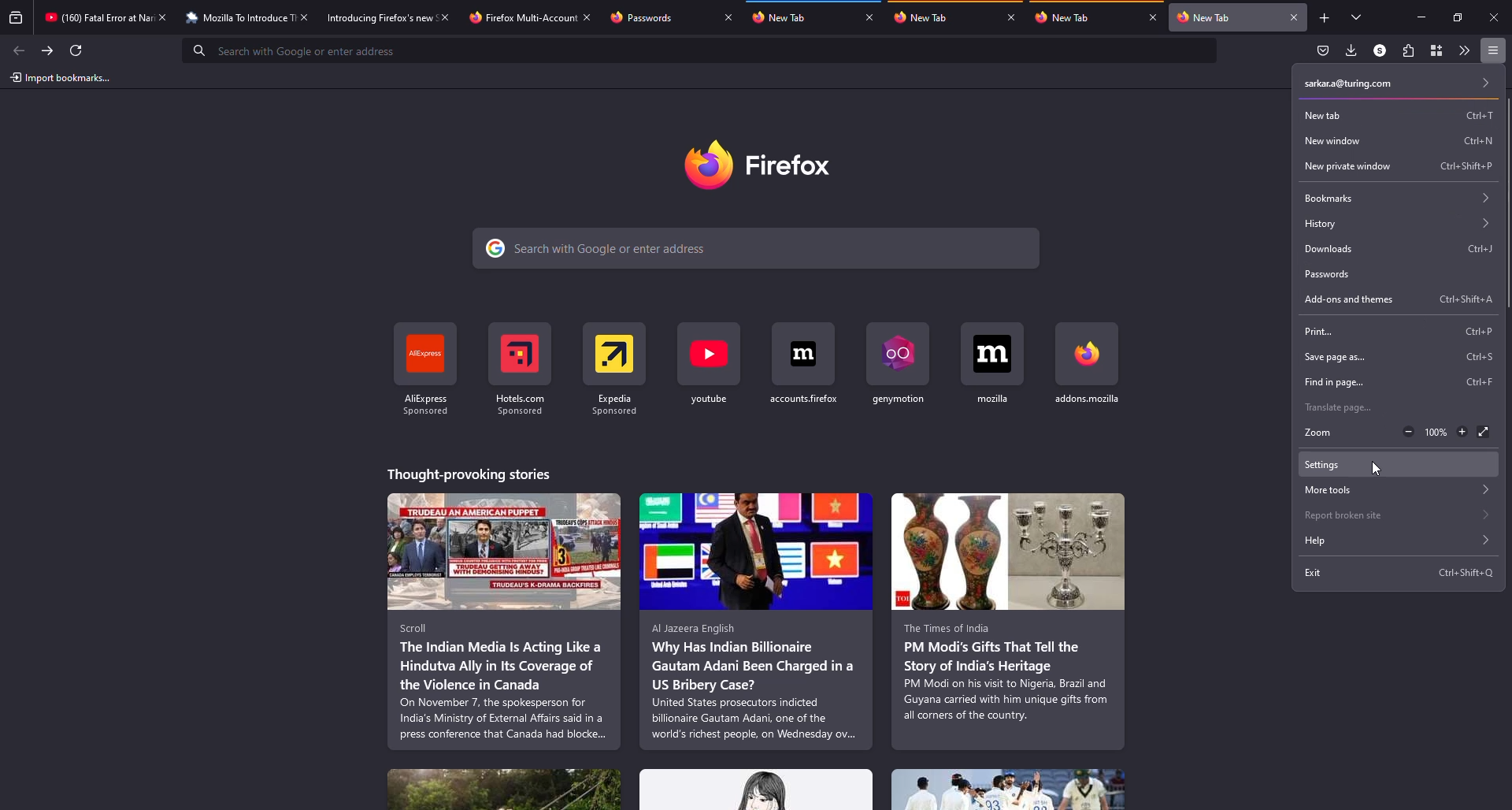 The image size is (1512, 810). I want to click on close, so click(164, 17).